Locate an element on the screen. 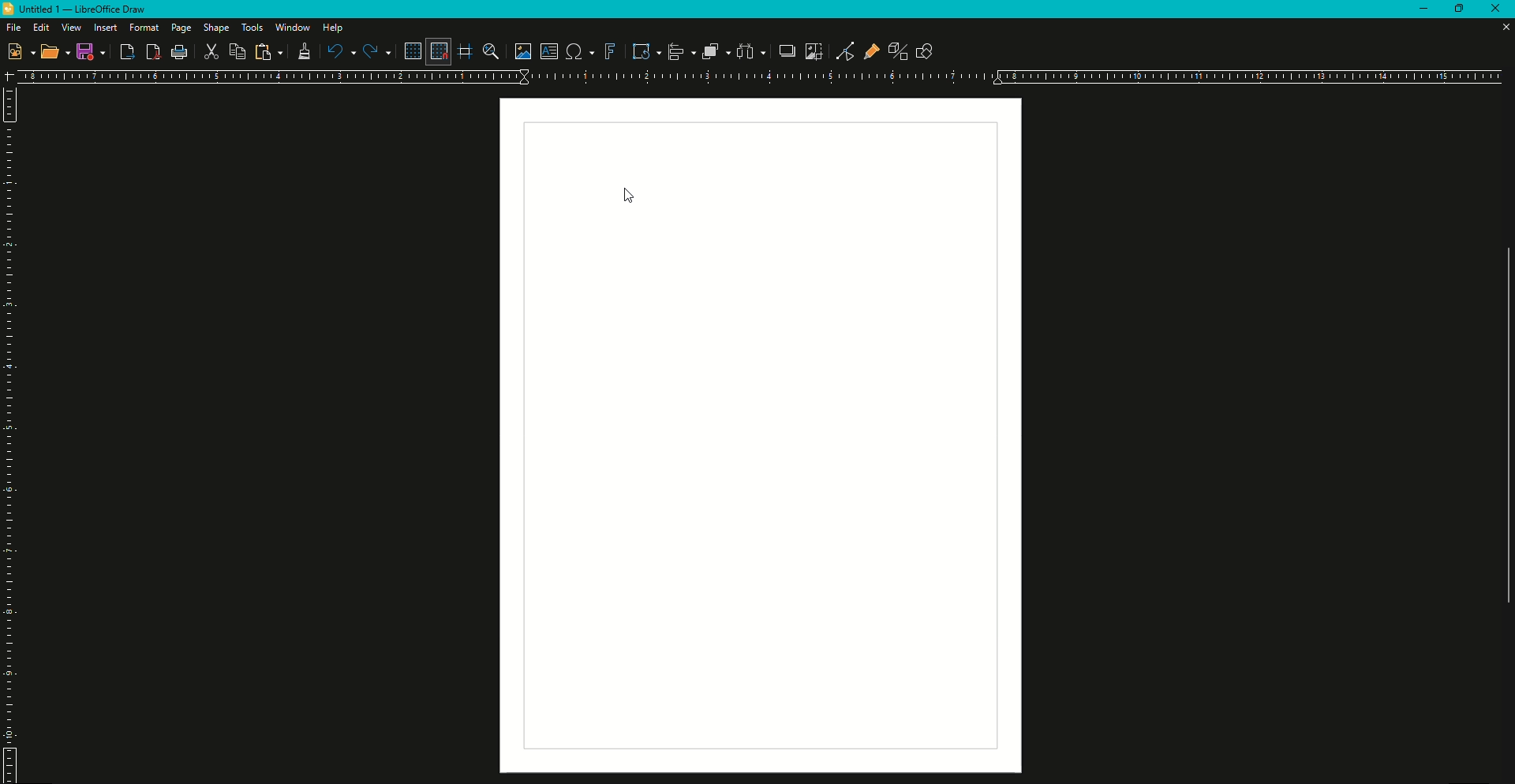 The height and width of the screenshot is (784, 1515). Snap to Grid is located at coordinates (440, 52).